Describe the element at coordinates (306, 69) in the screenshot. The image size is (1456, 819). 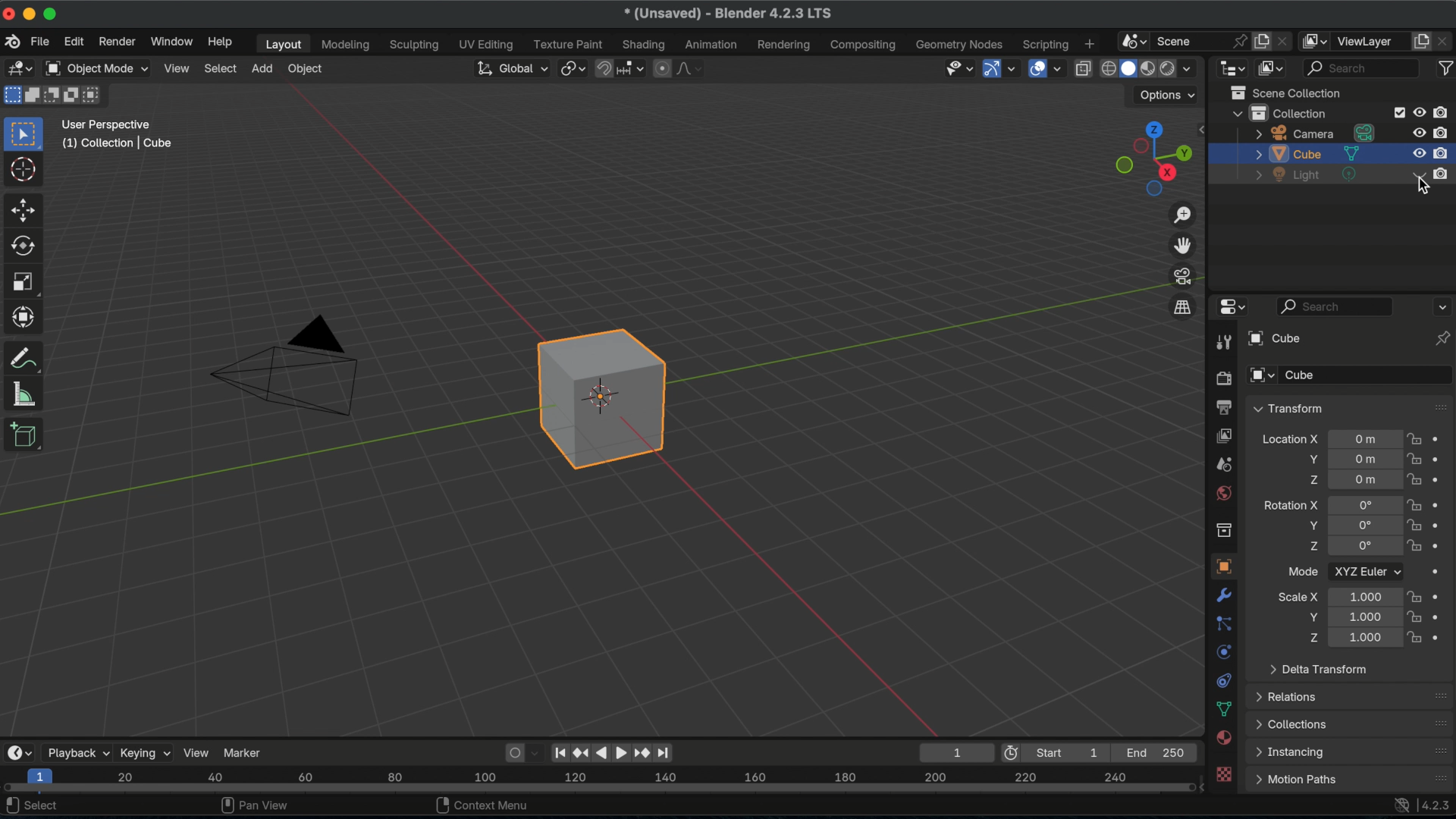
I see `object` at that location.